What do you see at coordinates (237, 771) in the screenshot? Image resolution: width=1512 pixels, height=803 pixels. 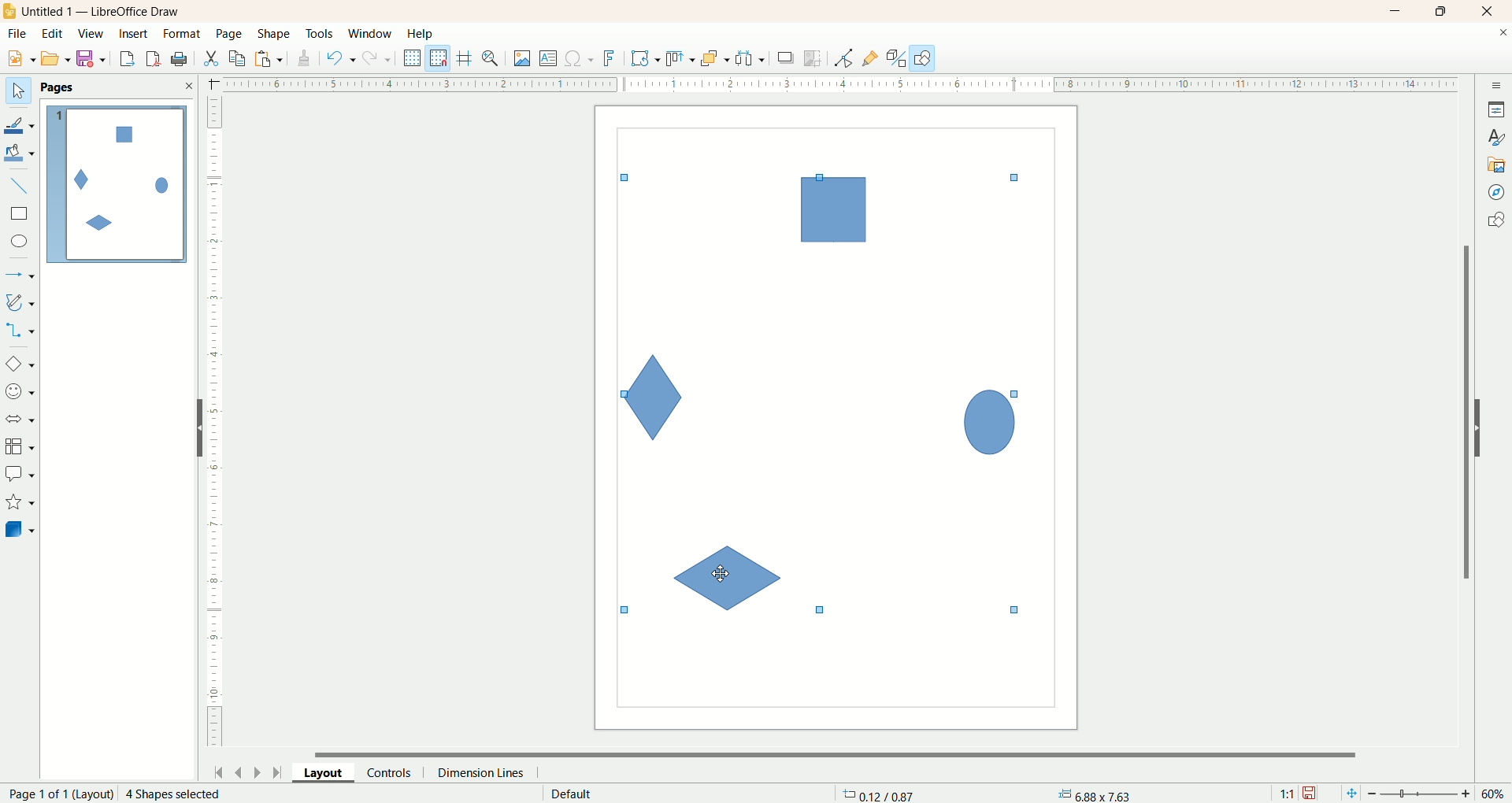 I see `previous page` at bounding box center [237, 771].